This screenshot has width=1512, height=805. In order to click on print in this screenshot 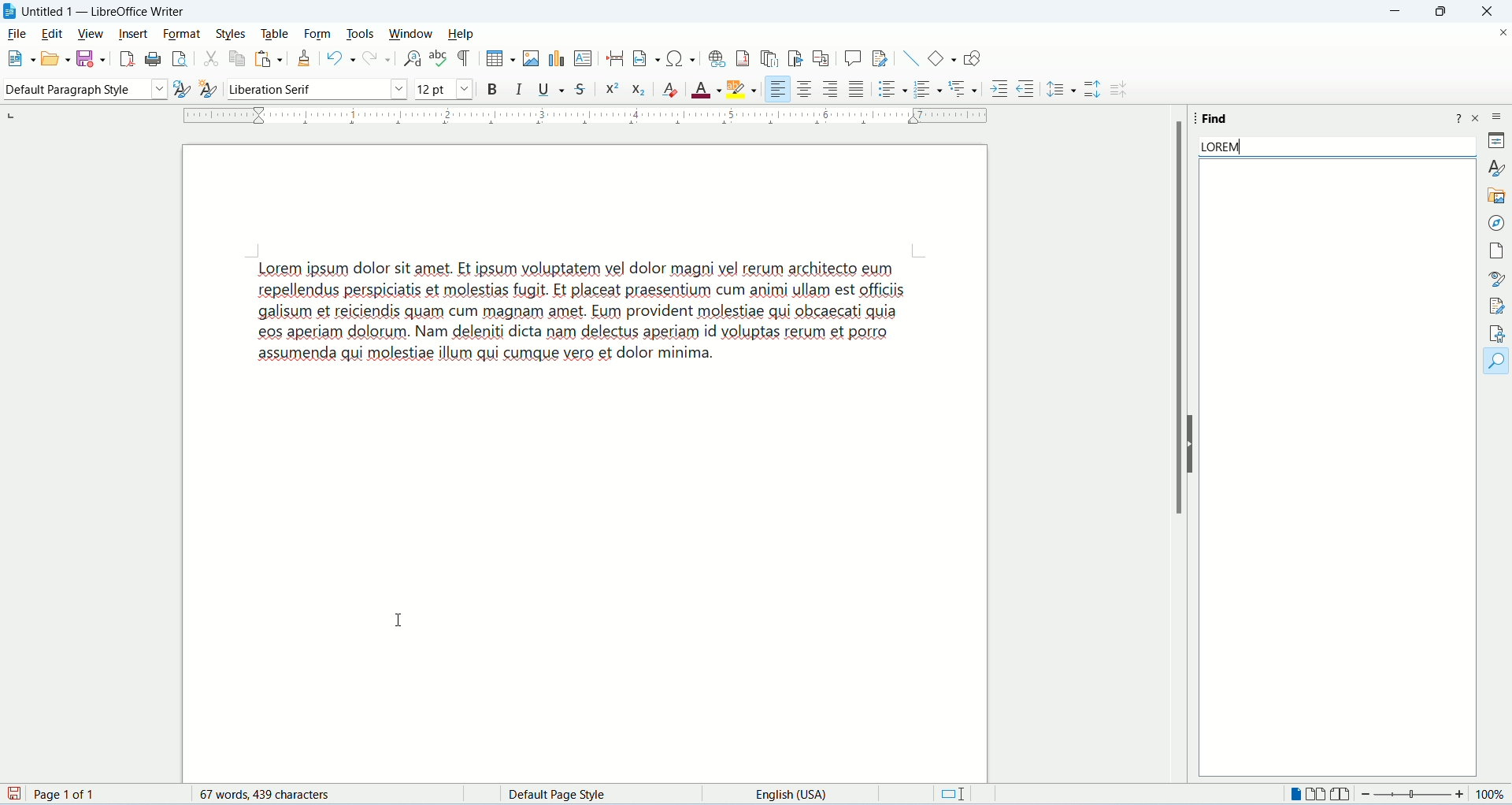, I will do `click(152, 59)`.